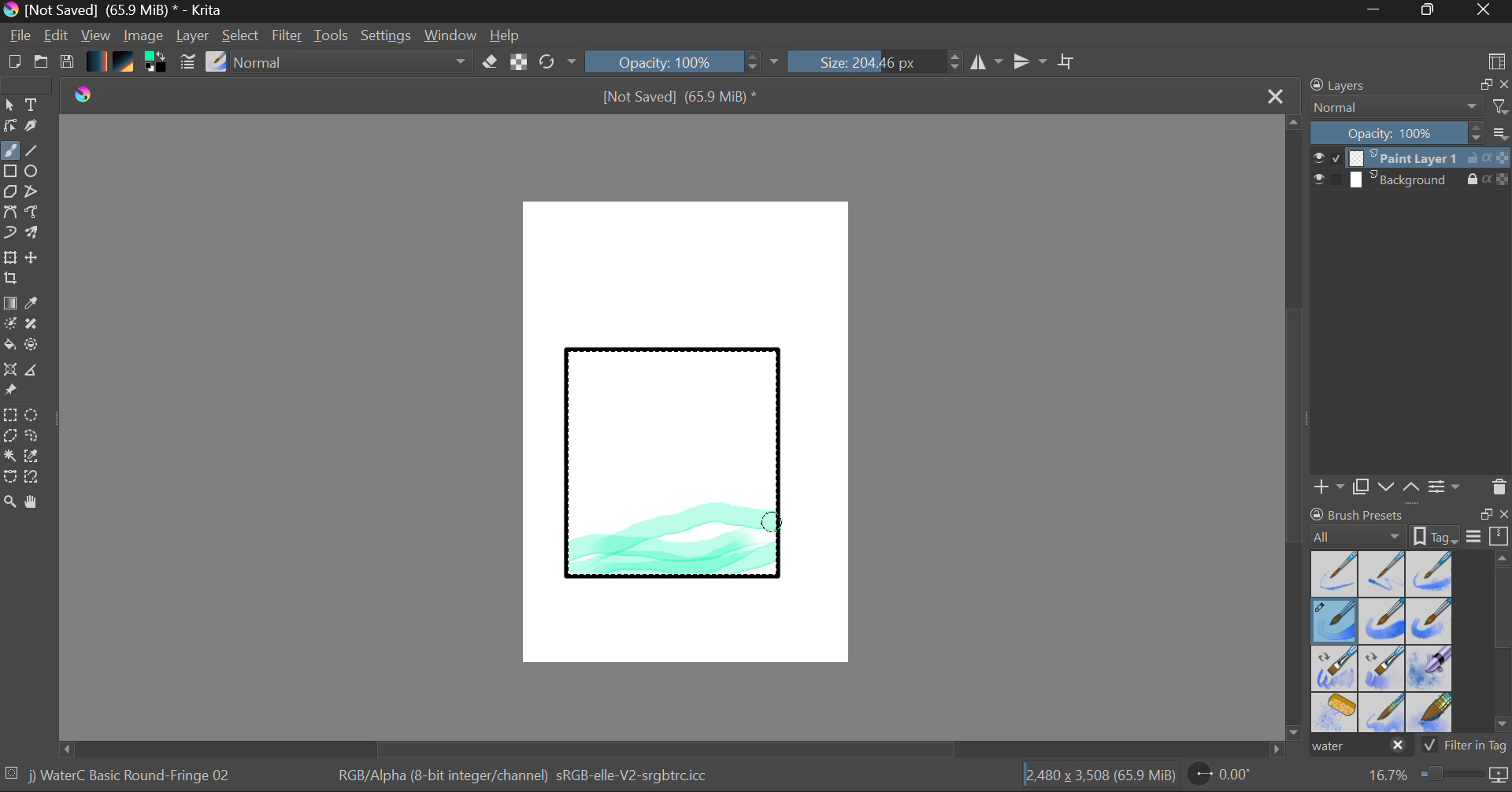  What do you see at coordinates (1033, 63) in the screenshot?
I see `Horizontal Mirror Flip` at bounding box center [1033, 63].